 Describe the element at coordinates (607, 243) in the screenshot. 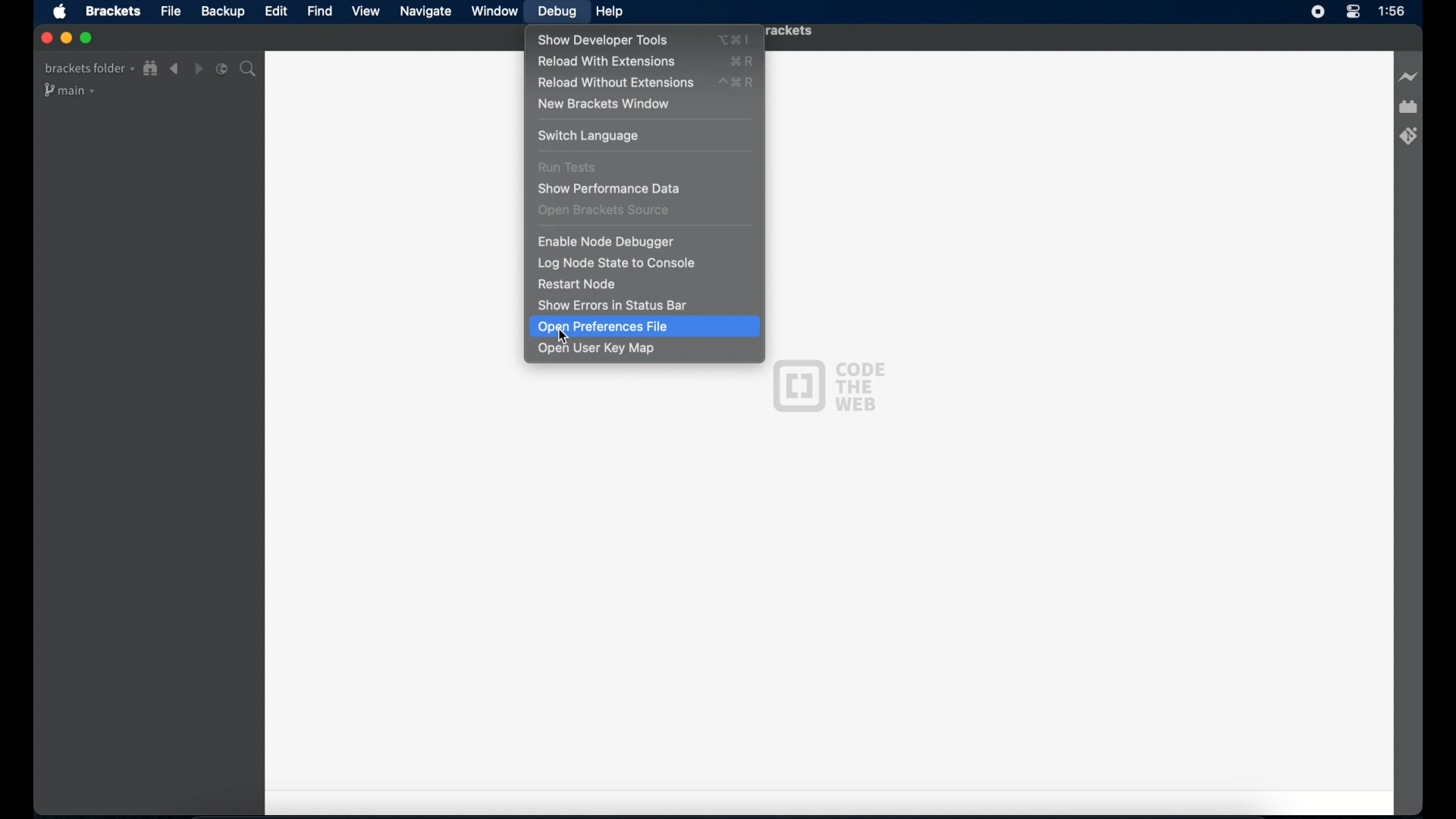

I see `enable node debugger` at that location.